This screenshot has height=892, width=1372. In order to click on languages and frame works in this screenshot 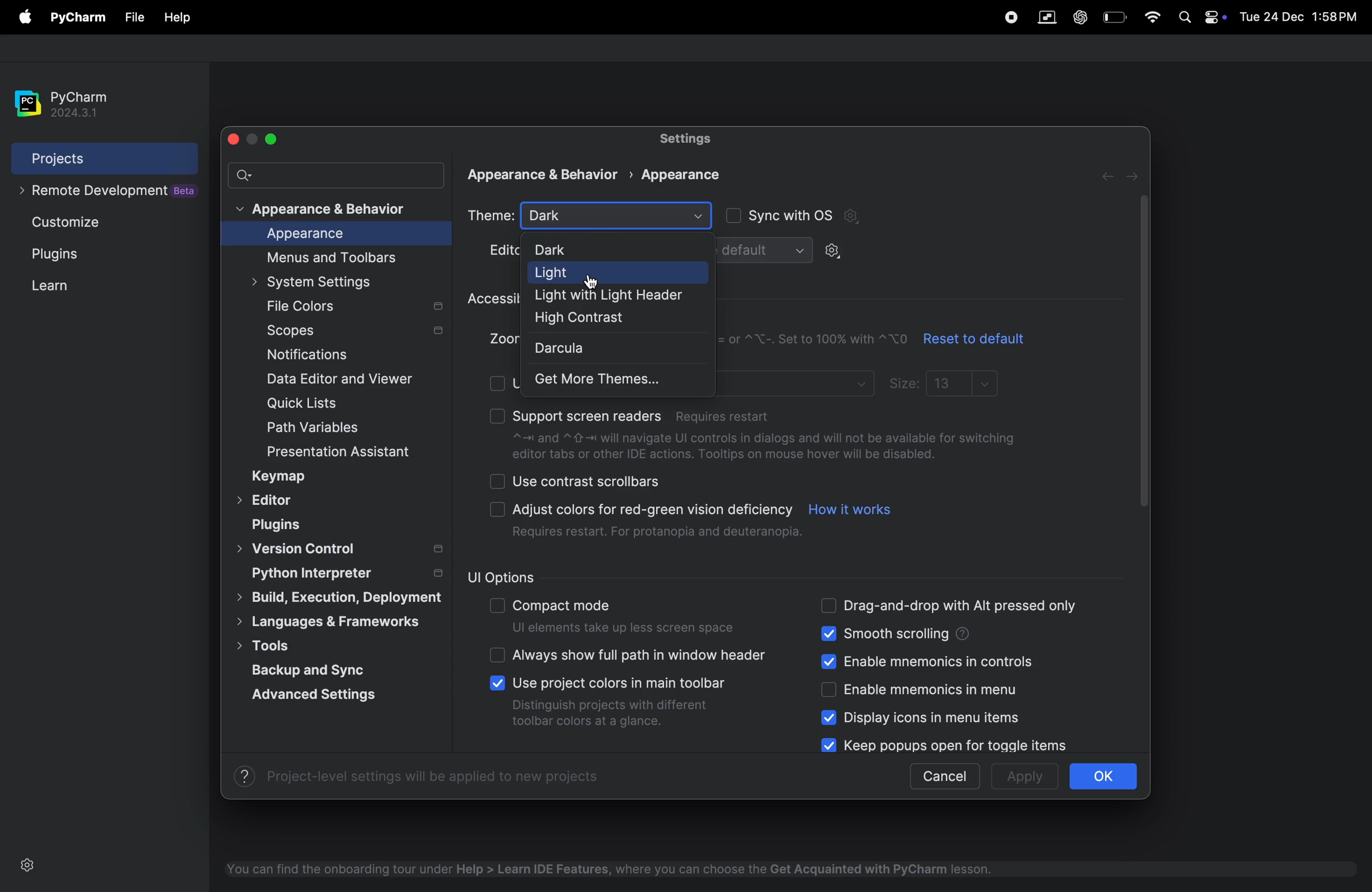, I will do `click(344, 623)`.